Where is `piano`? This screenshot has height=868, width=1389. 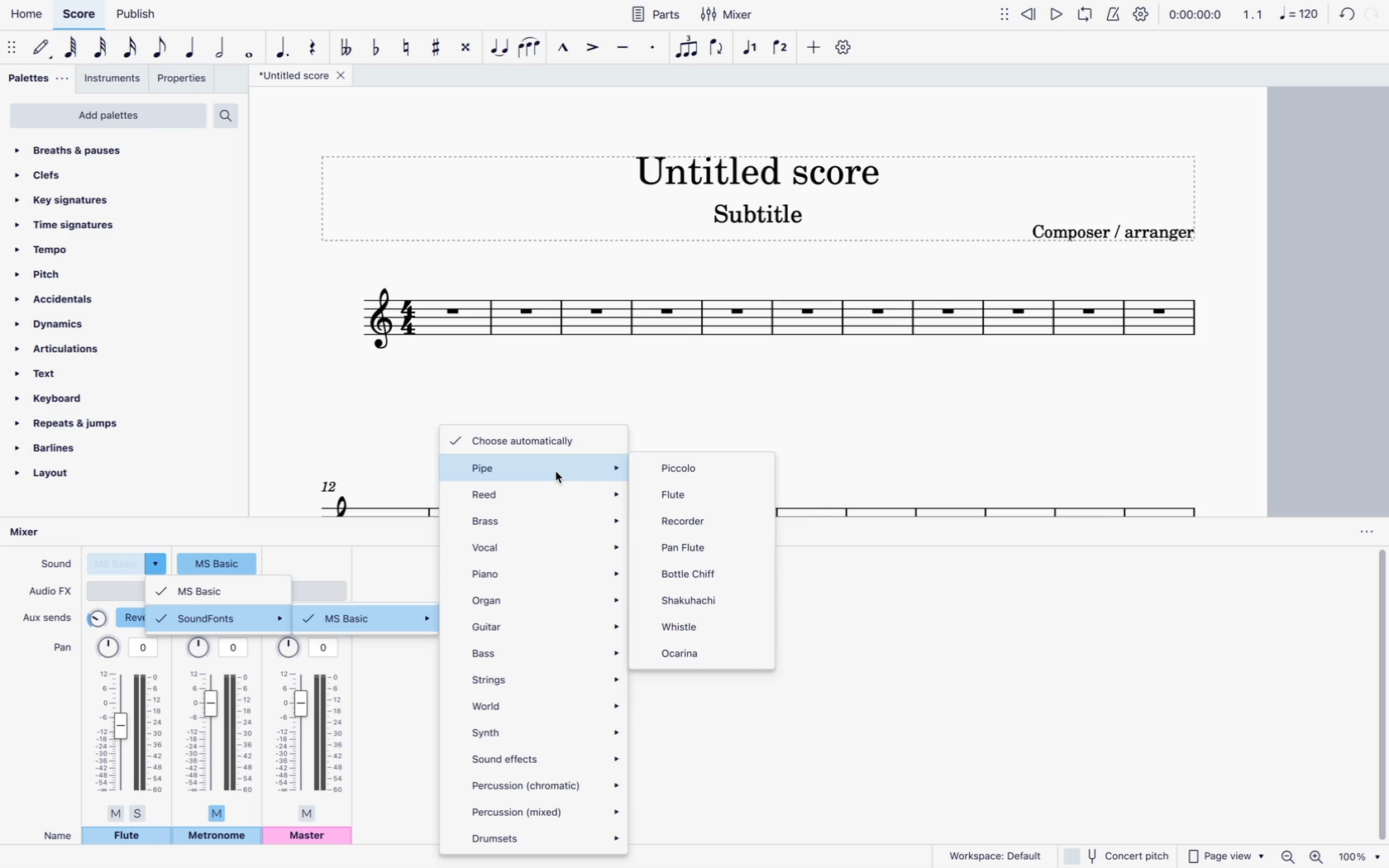
piano is located at coordinates (546, 575).